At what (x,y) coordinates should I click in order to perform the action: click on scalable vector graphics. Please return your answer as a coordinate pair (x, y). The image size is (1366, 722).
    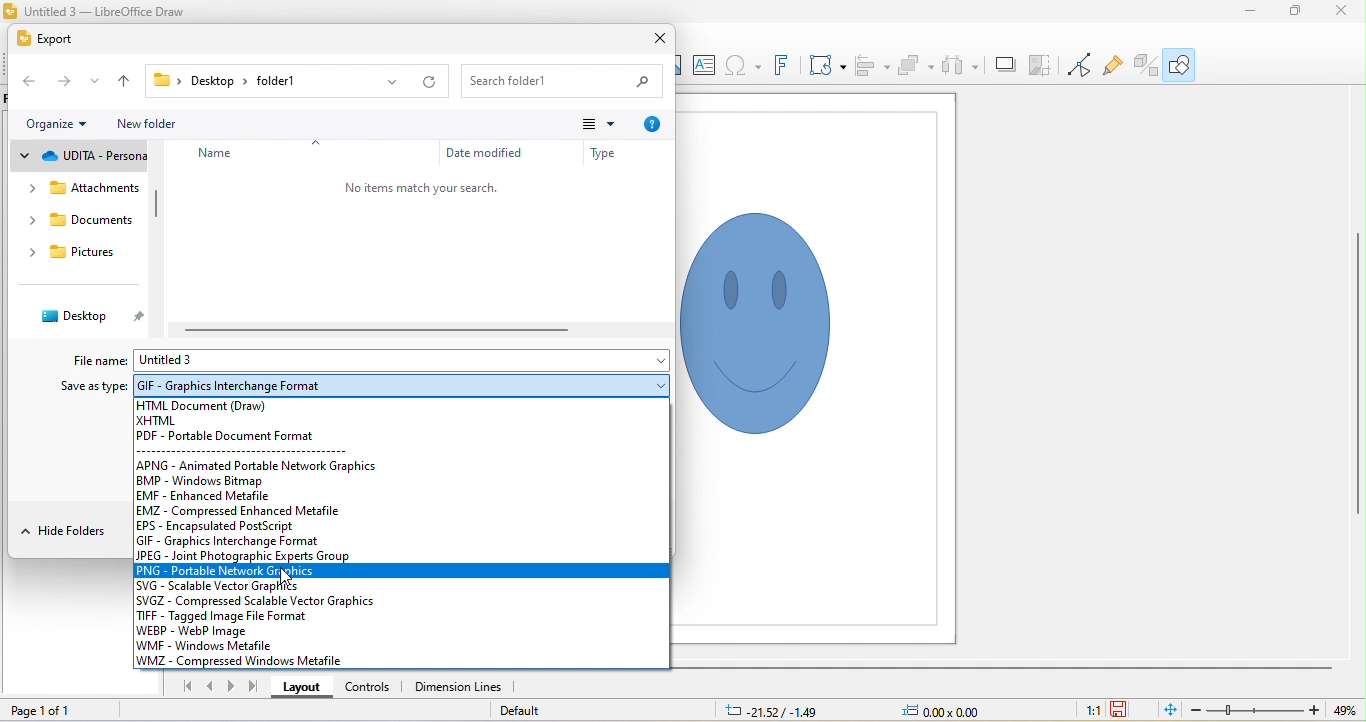
    Looking at the image, I should click on (228, 585).